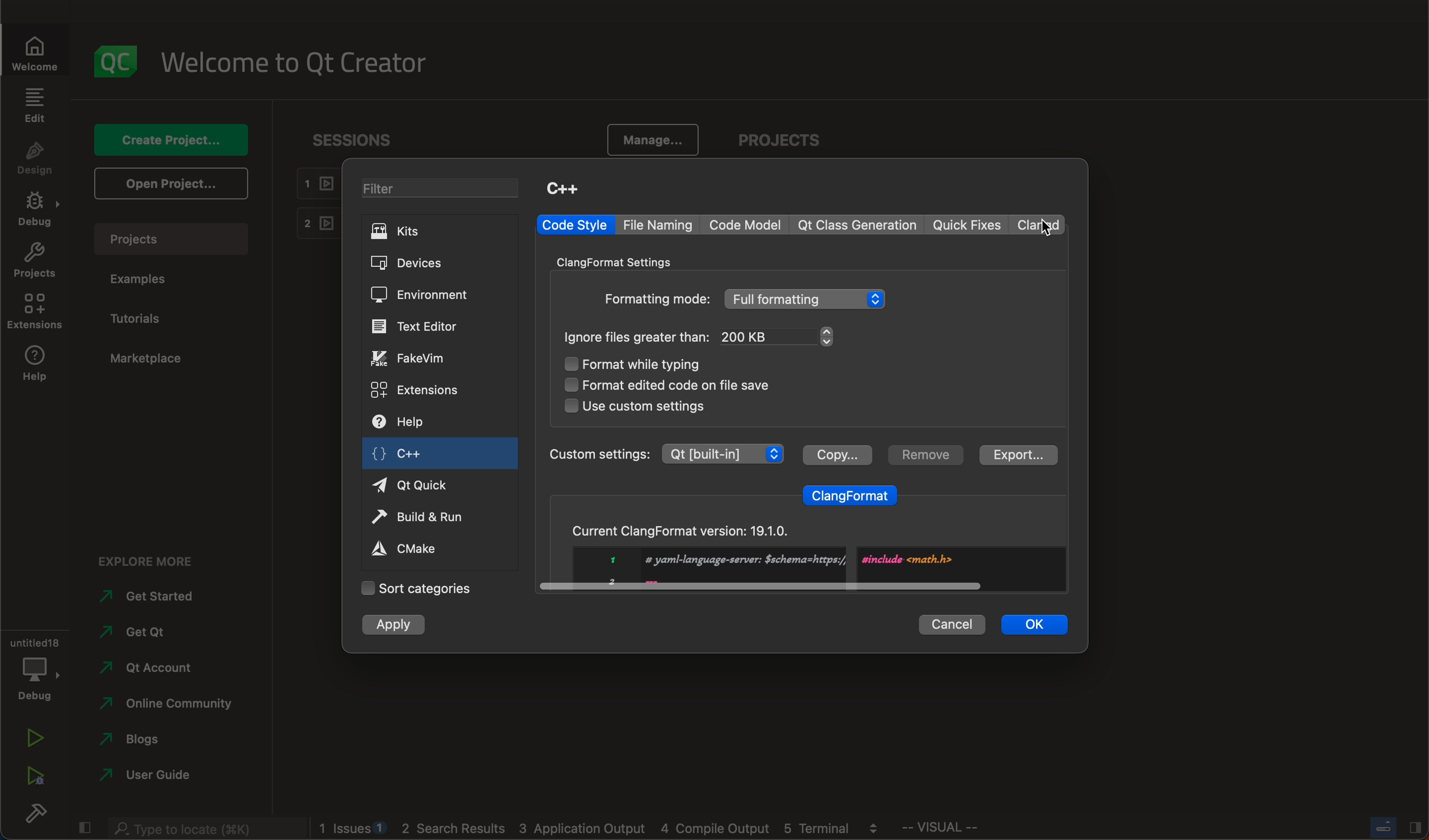 This screenshot has width=1429, height=840. I want to click on FILTER, so click(438, 190).